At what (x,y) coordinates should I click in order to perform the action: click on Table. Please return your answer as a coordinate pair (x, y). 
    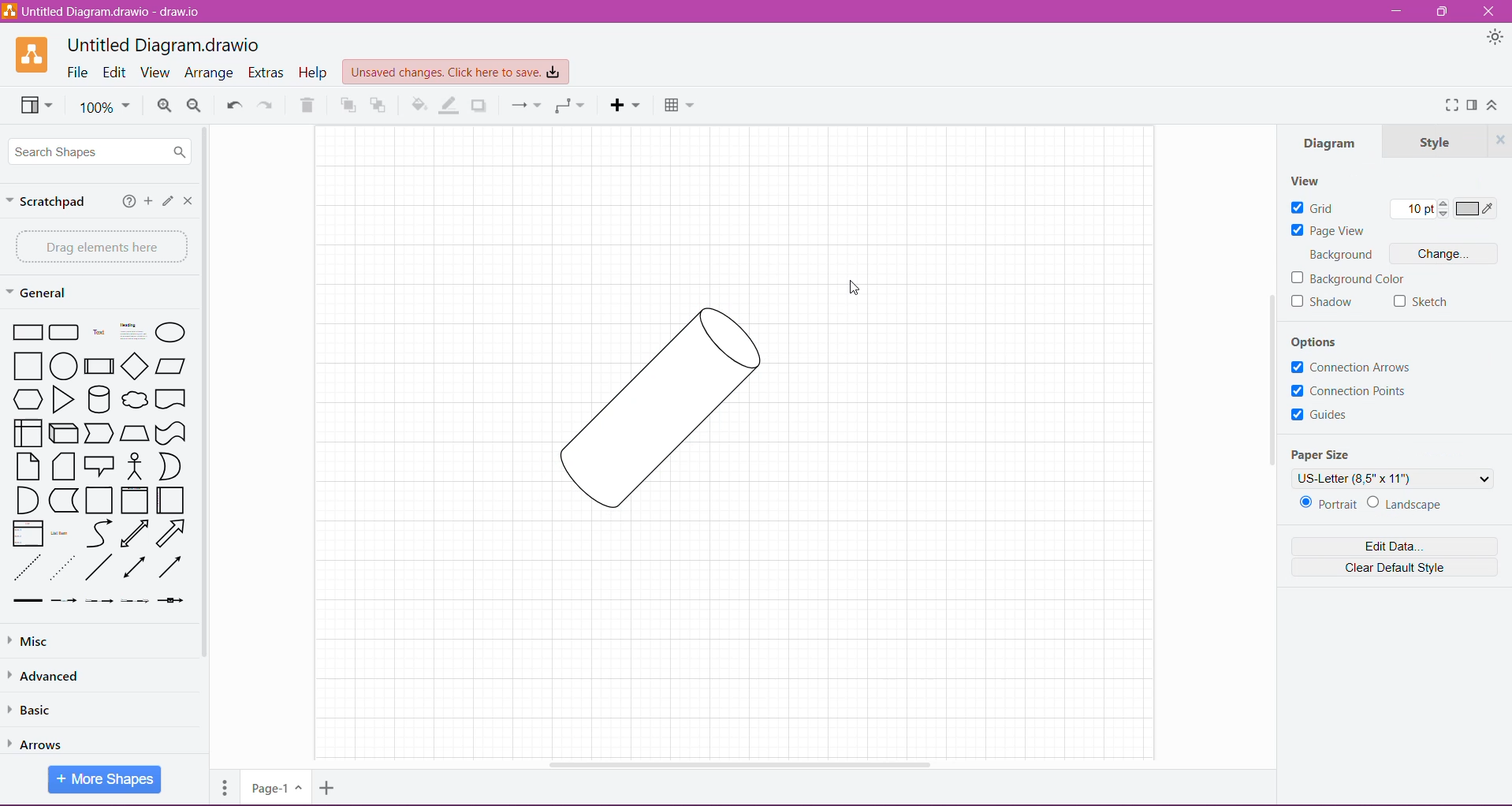
    Looking at the image, I should click on (680, 106).